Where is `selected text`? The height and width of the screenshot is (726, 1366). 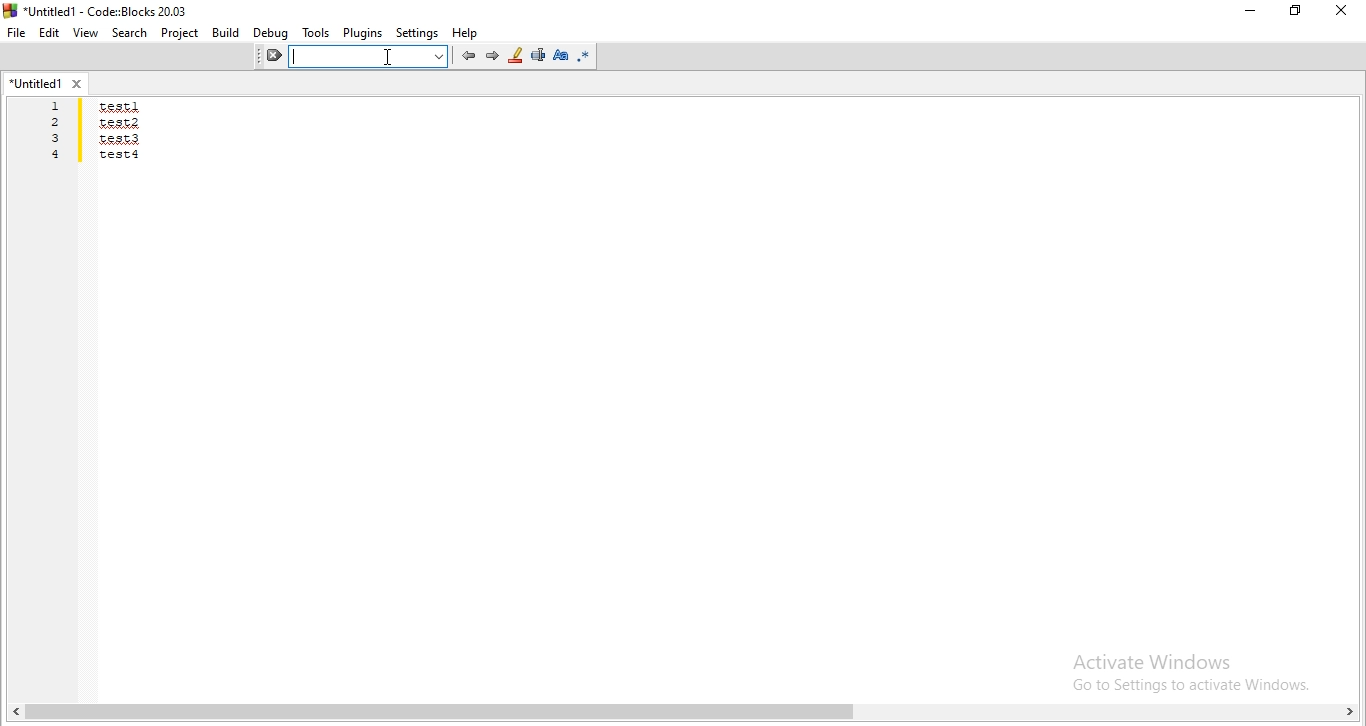
selected text is located at coordinates (538, 57).